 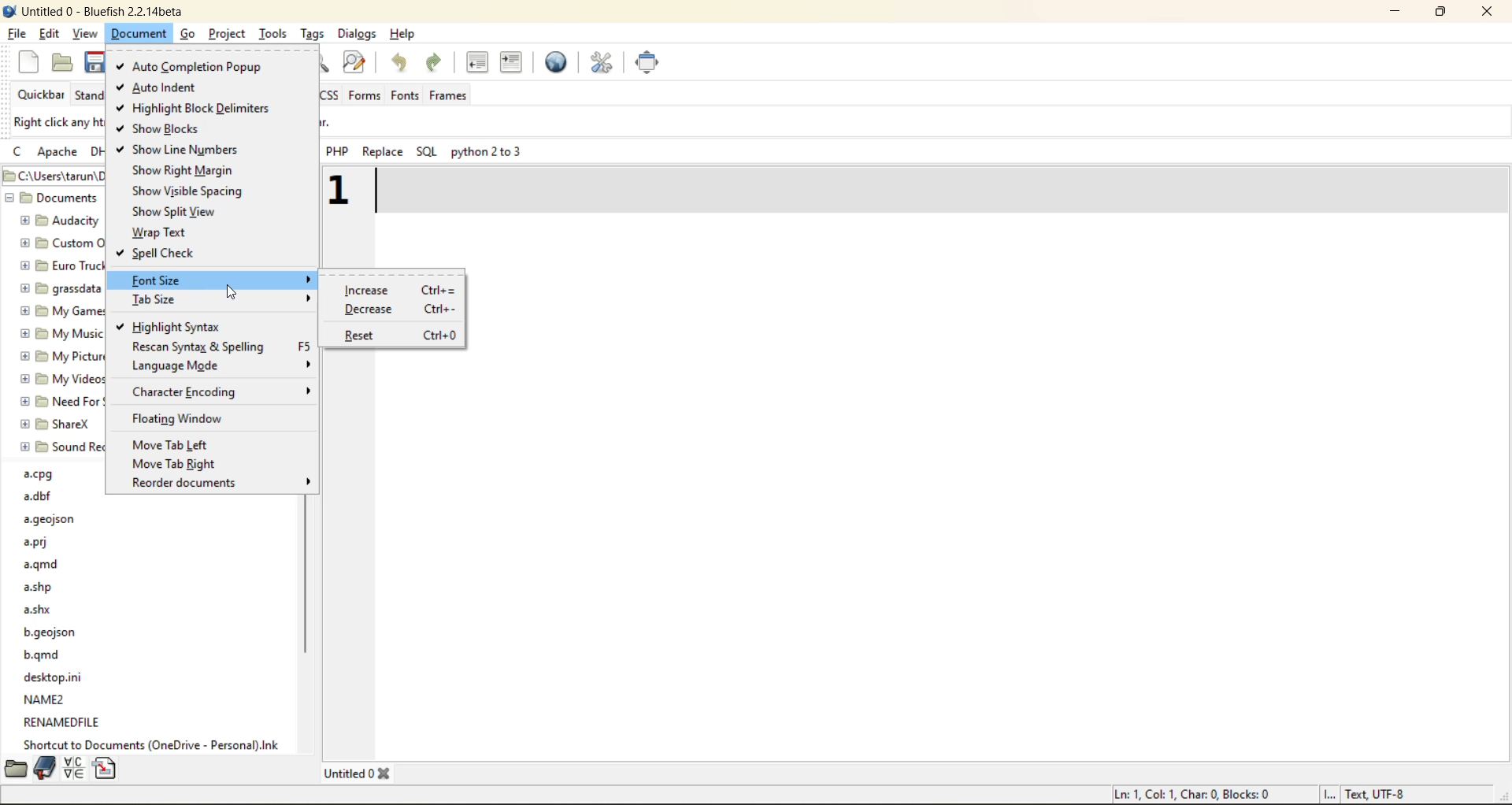 What do you see at coordinates (60, 222) in the screenshot?
I see `audacity` at bounding box center [60, 222].